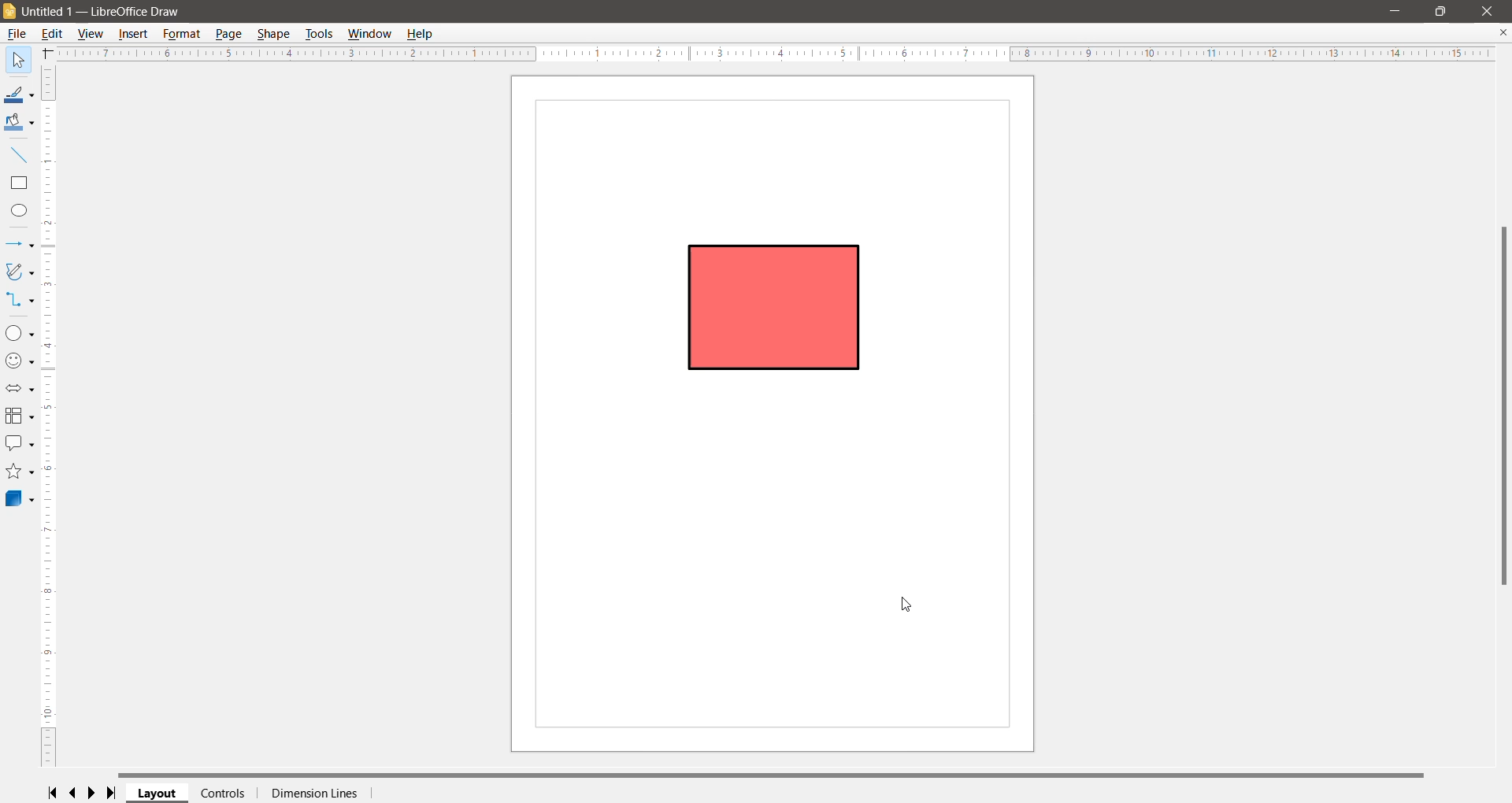 This screenshot has width=1512, height=803. I want to click on Line Style of the shape changed, so click(776, 305).